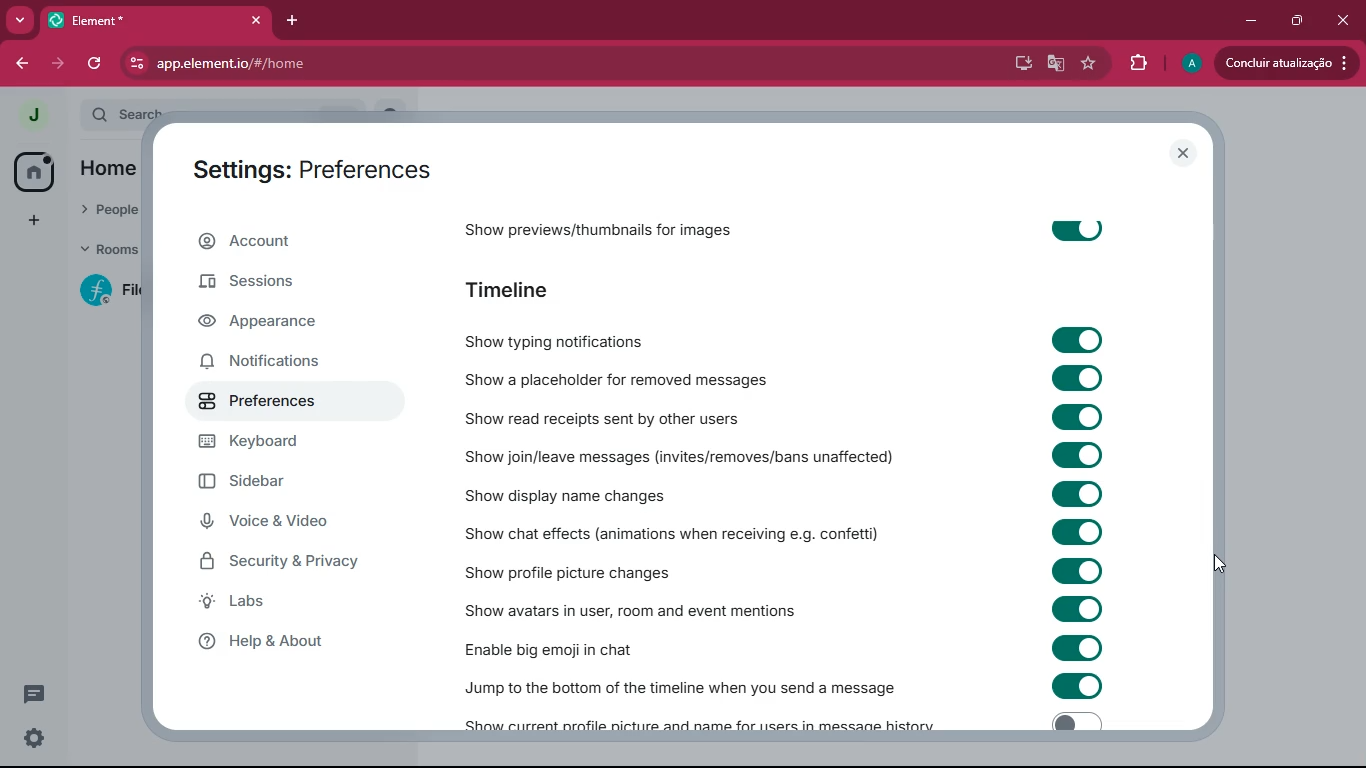 Image resolution: width=1366 pixels, height=768 pixels. I want to click on sidebar, so click(281, 485).